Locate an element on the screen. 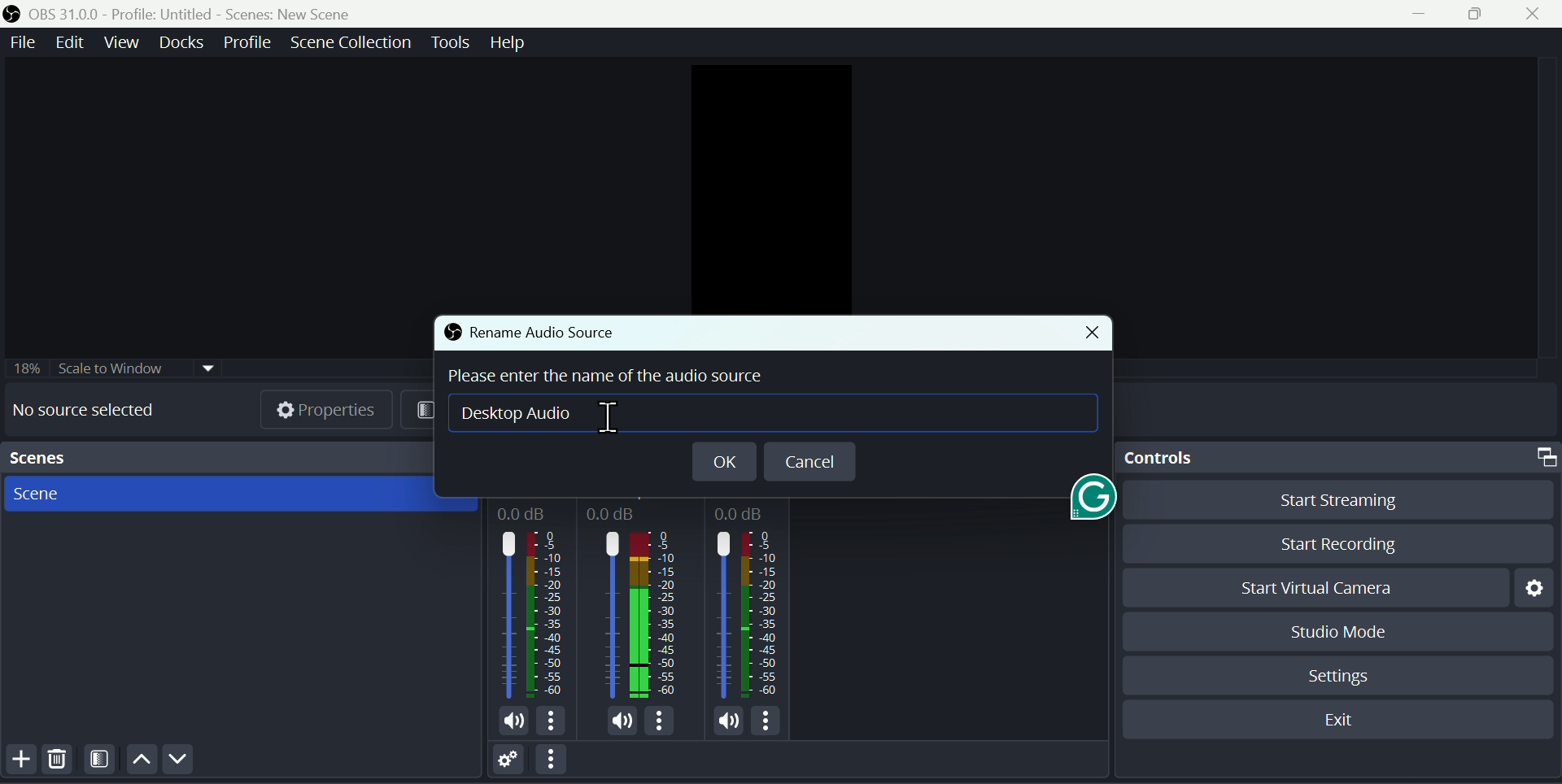  options is located at coordinates (552, 760).